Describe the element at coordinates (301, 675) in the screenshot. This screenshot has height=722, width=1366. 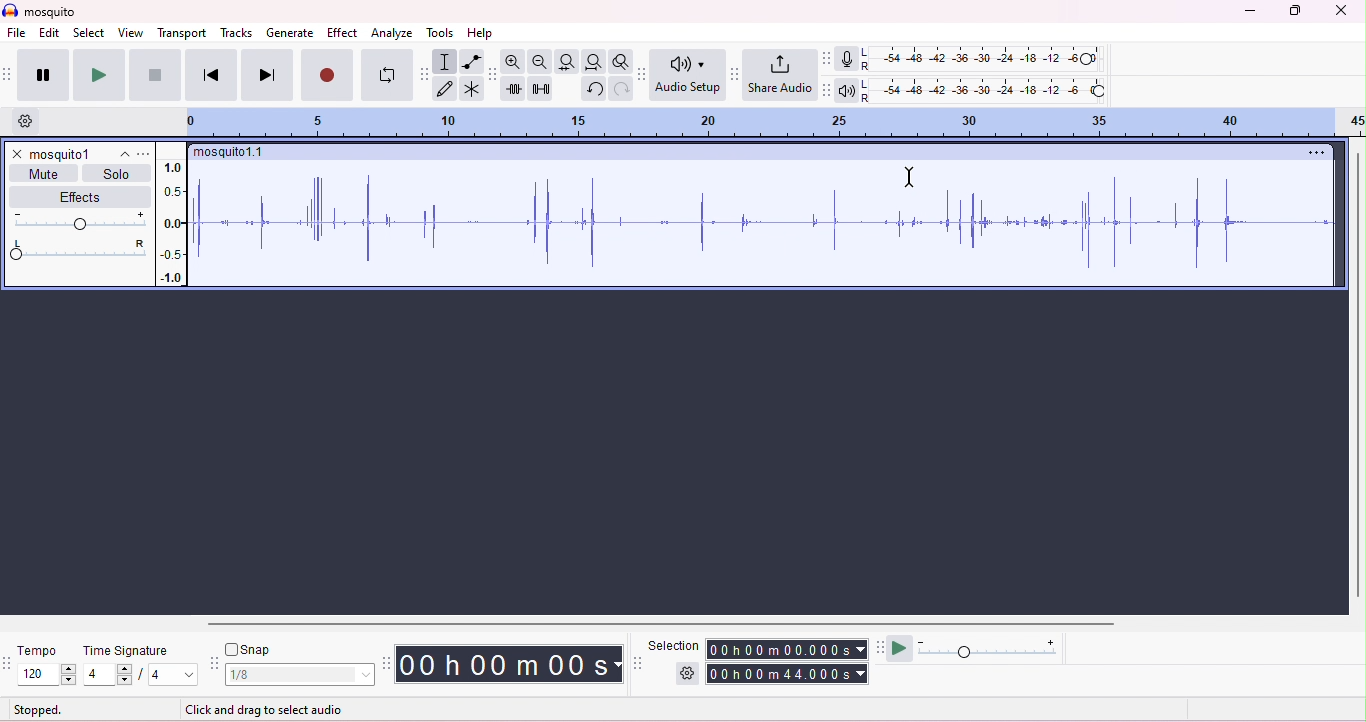
I see `select snap` at that location.